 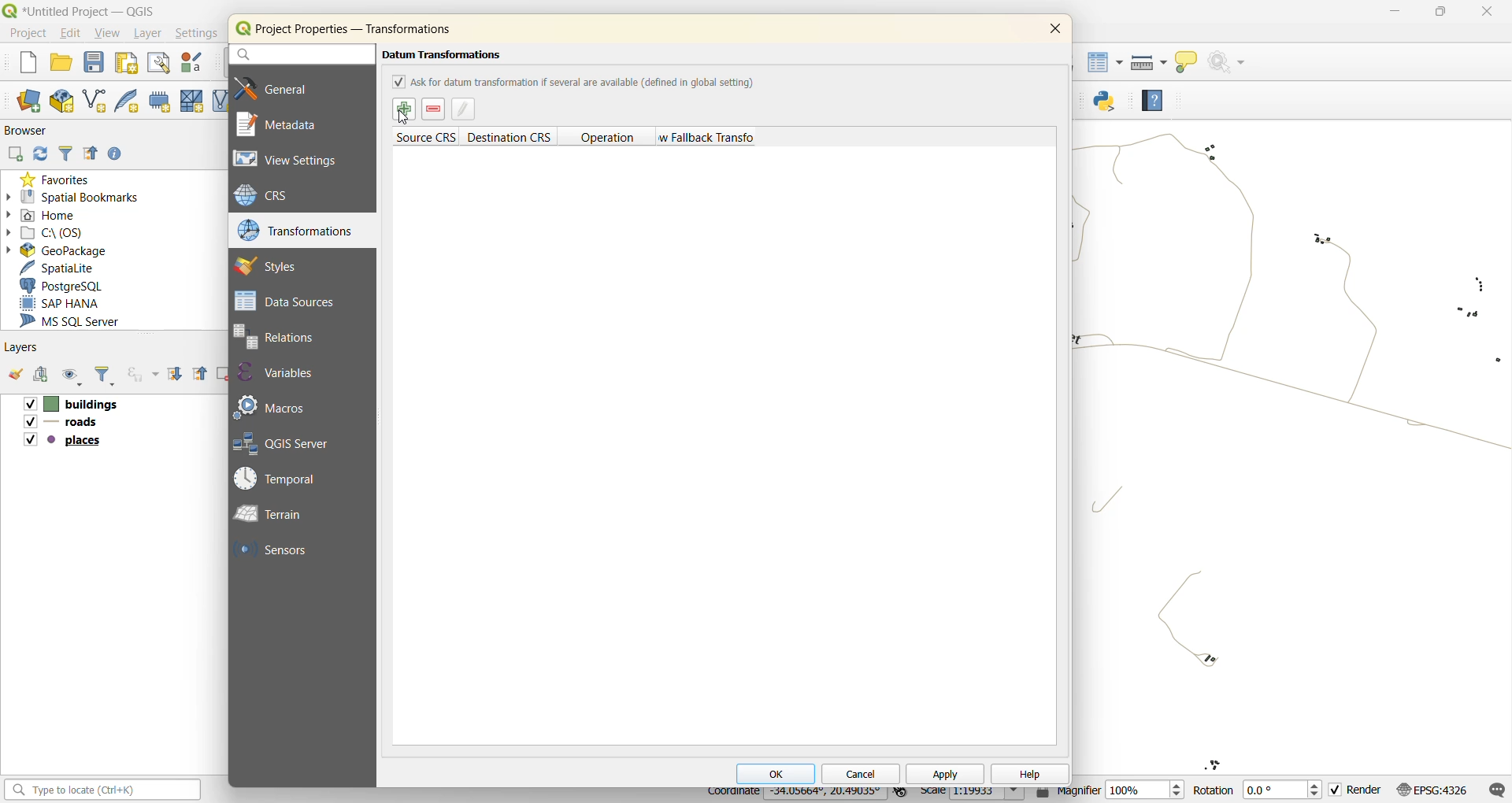 I want to click on places, so click(x=65, y=441).